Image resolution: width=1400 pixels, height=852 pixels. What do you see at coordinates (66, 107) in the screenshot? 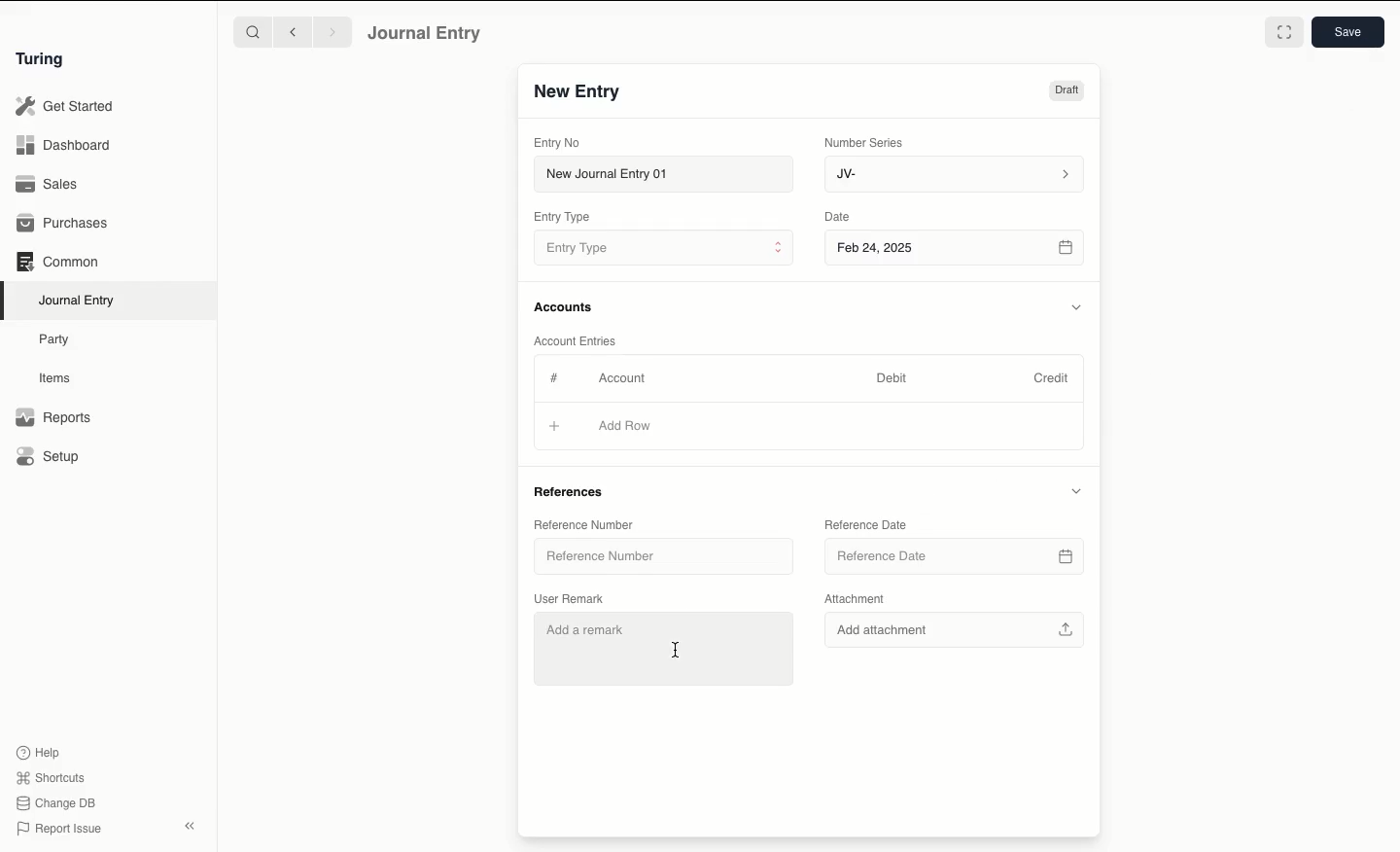
I see `Get Started` at bounding box center [66, 107].